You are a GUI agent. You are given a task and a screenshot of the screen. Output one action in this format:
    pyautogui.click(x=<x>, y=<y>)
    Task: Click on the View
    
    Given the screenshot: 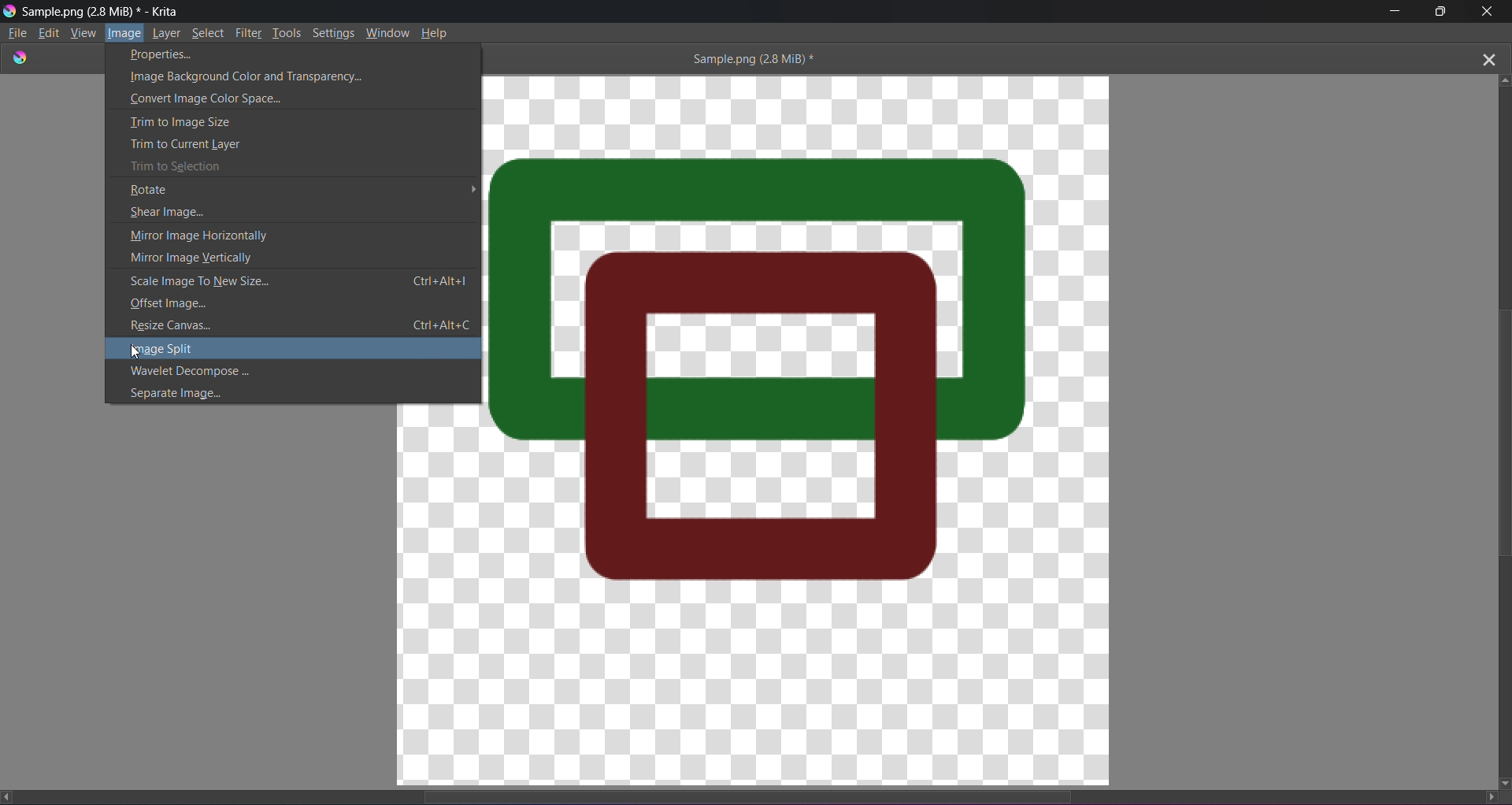 What is the action you would take?
    pyautogui.click(x=83, y=34)
    